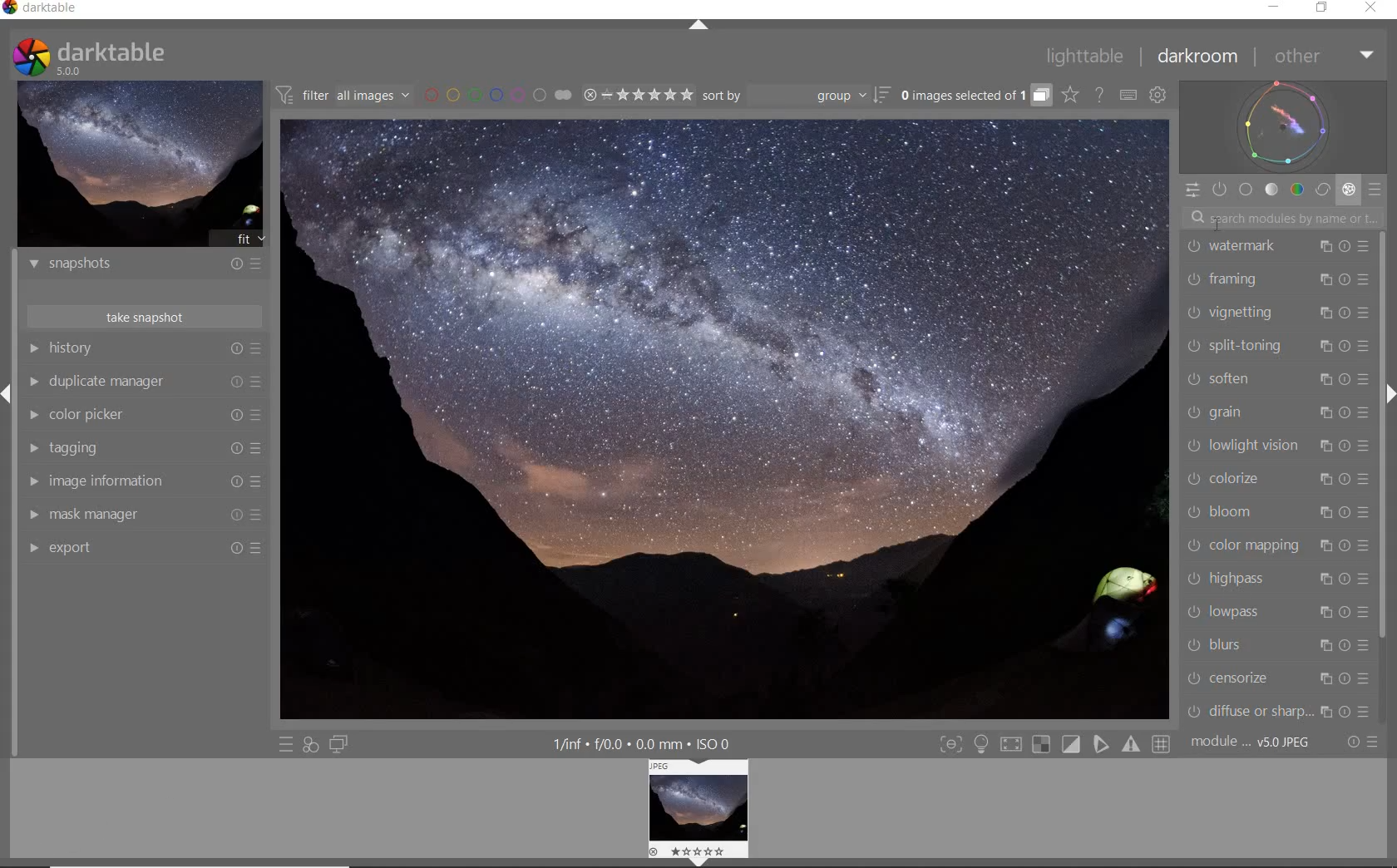 The width and height of the screenshot is (1397, 868). What do you see at coordinates (120, 481) in the screenshot?
I see `image information` at bounding box center [120, 481].